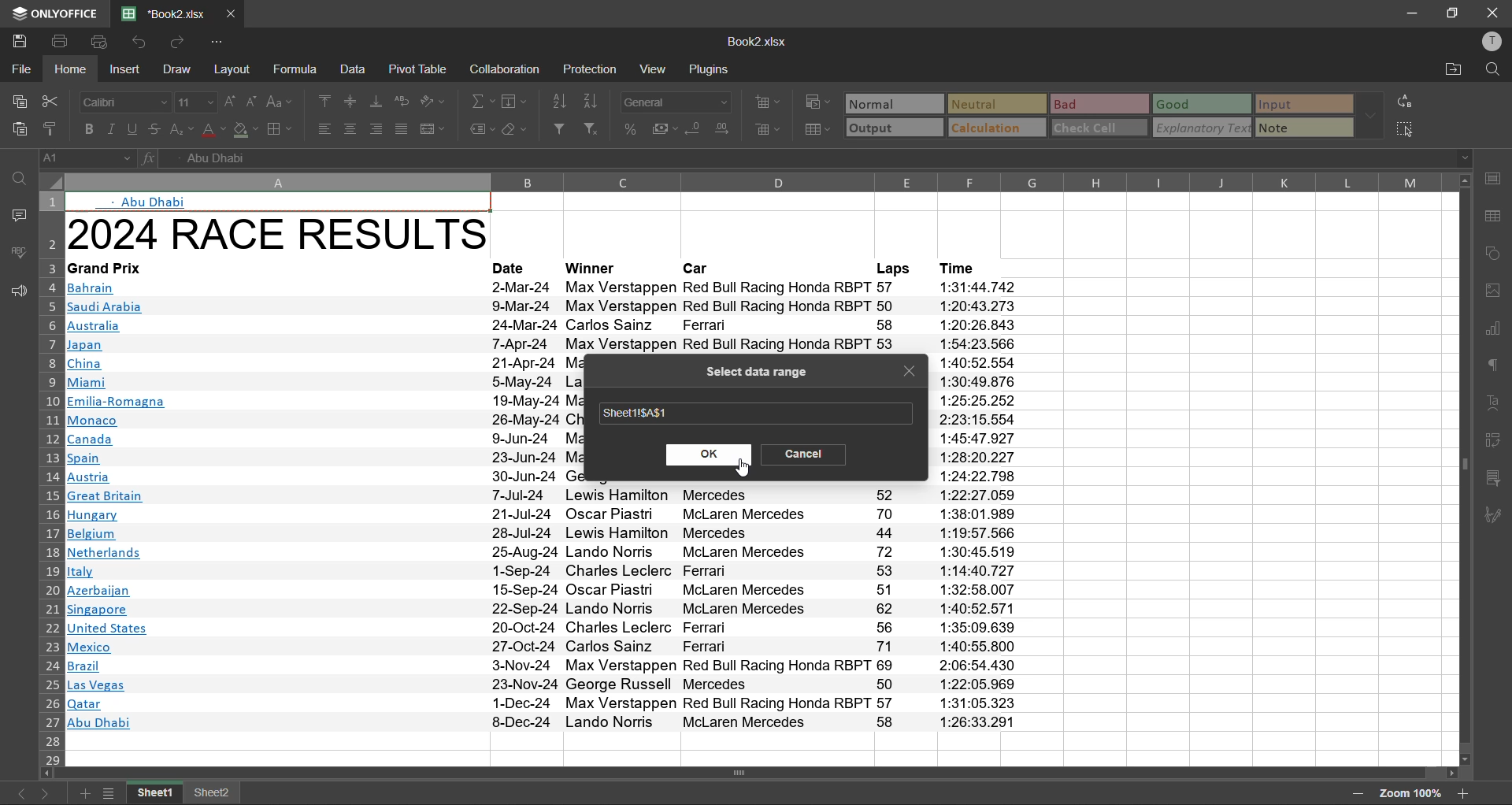 This screenshot has width=1512, height=805. Describe the element at coordinates (878, 102) in the screenshot. I see `normal` at that location.